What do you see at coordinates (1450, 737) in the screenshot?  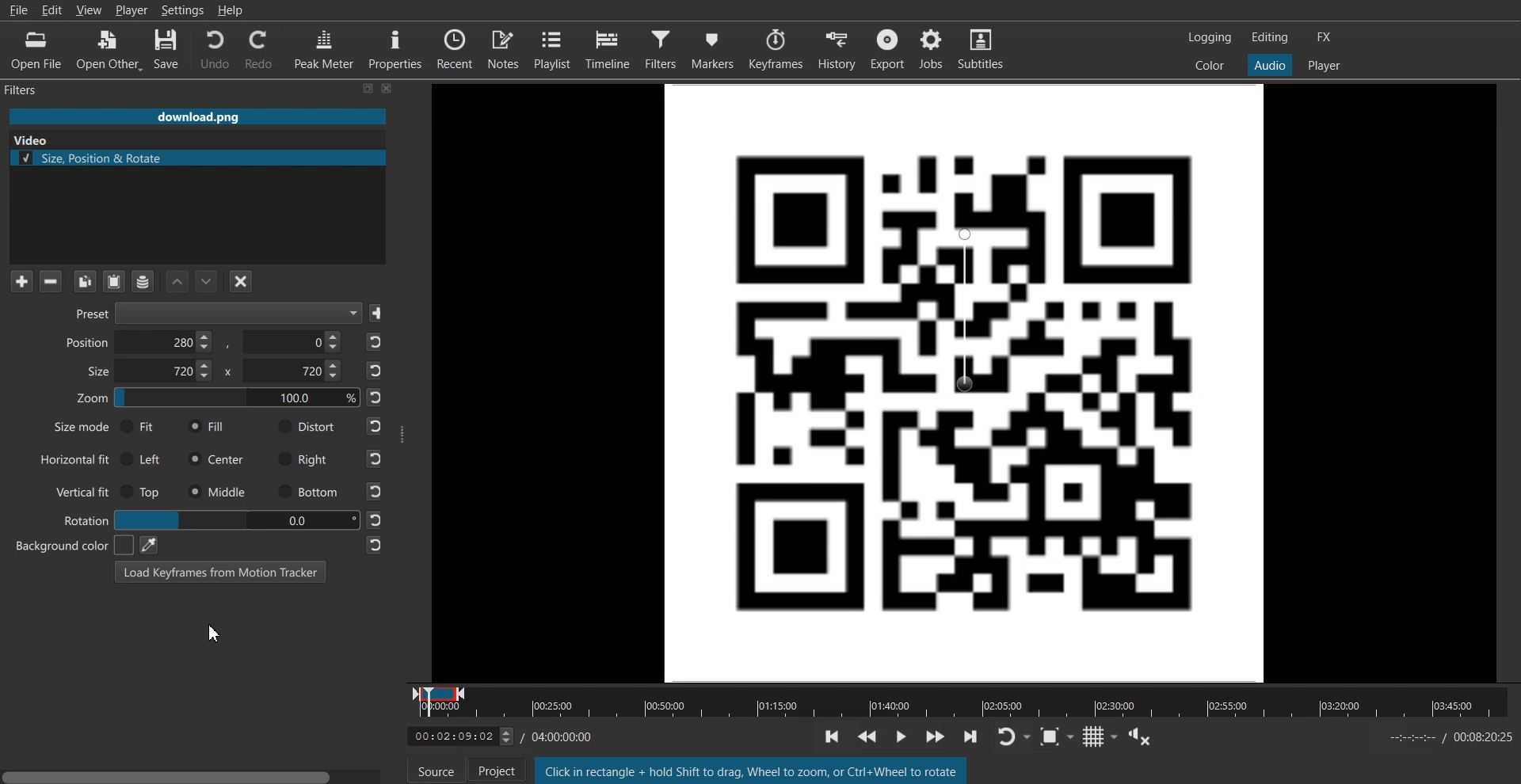 I see `Time Sheet` at bounding box center [1450, 737].